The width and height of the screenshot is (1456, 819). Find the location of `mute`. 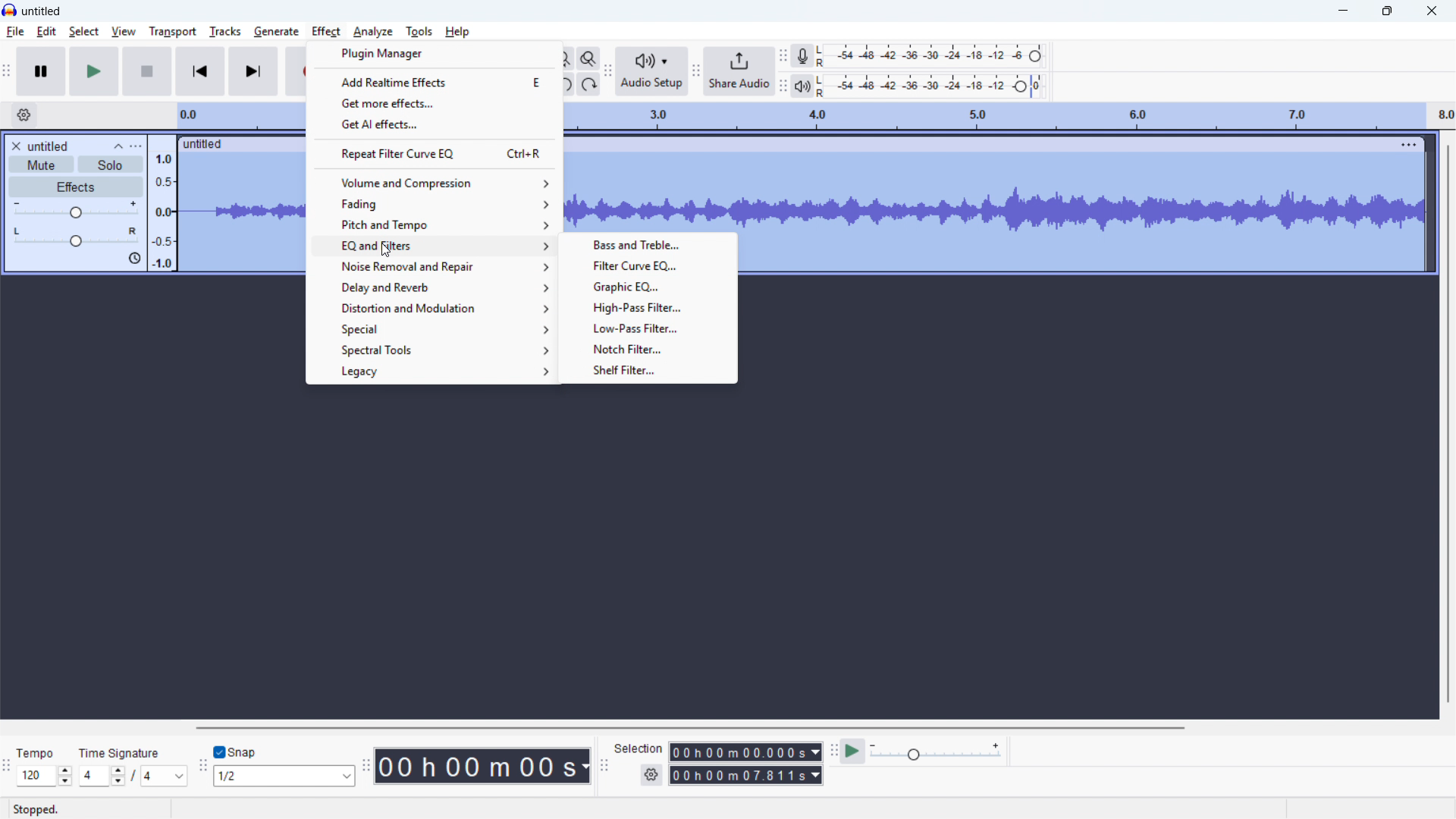

mute is located at coordinates (42, 165).